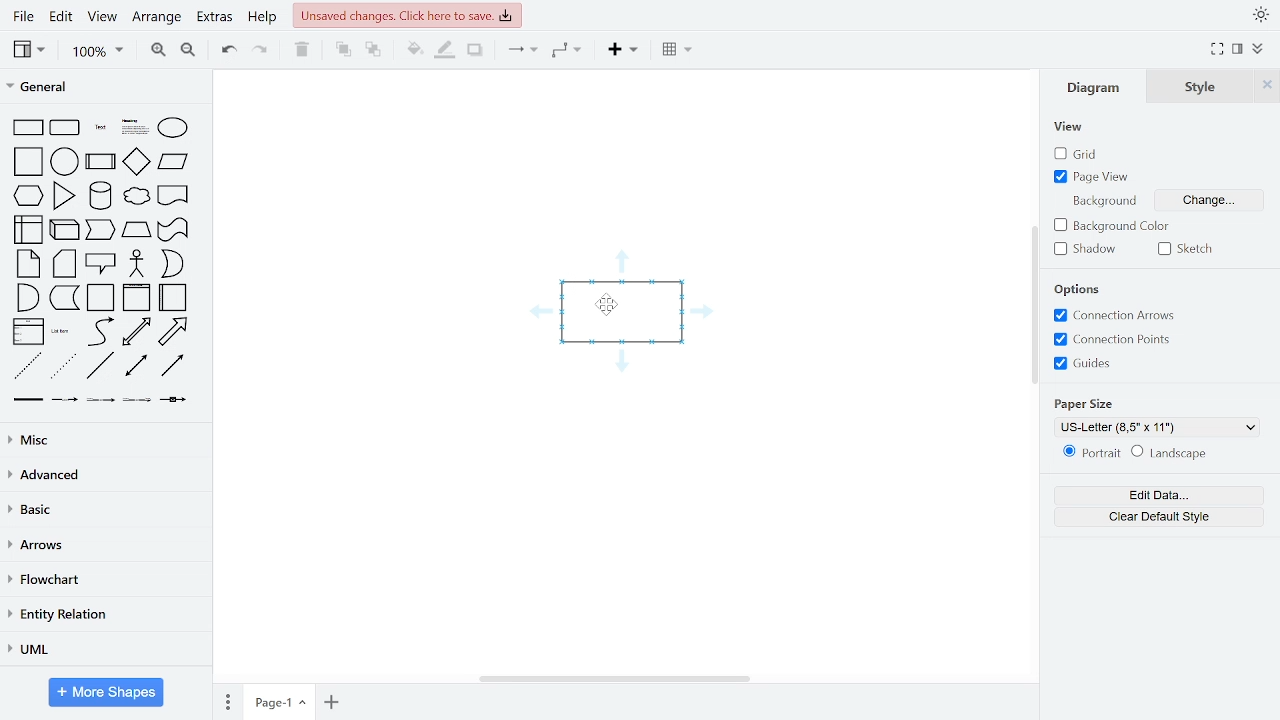 The image size is (1280, 720). I want to click on connection arrows, so click(1114, 314).